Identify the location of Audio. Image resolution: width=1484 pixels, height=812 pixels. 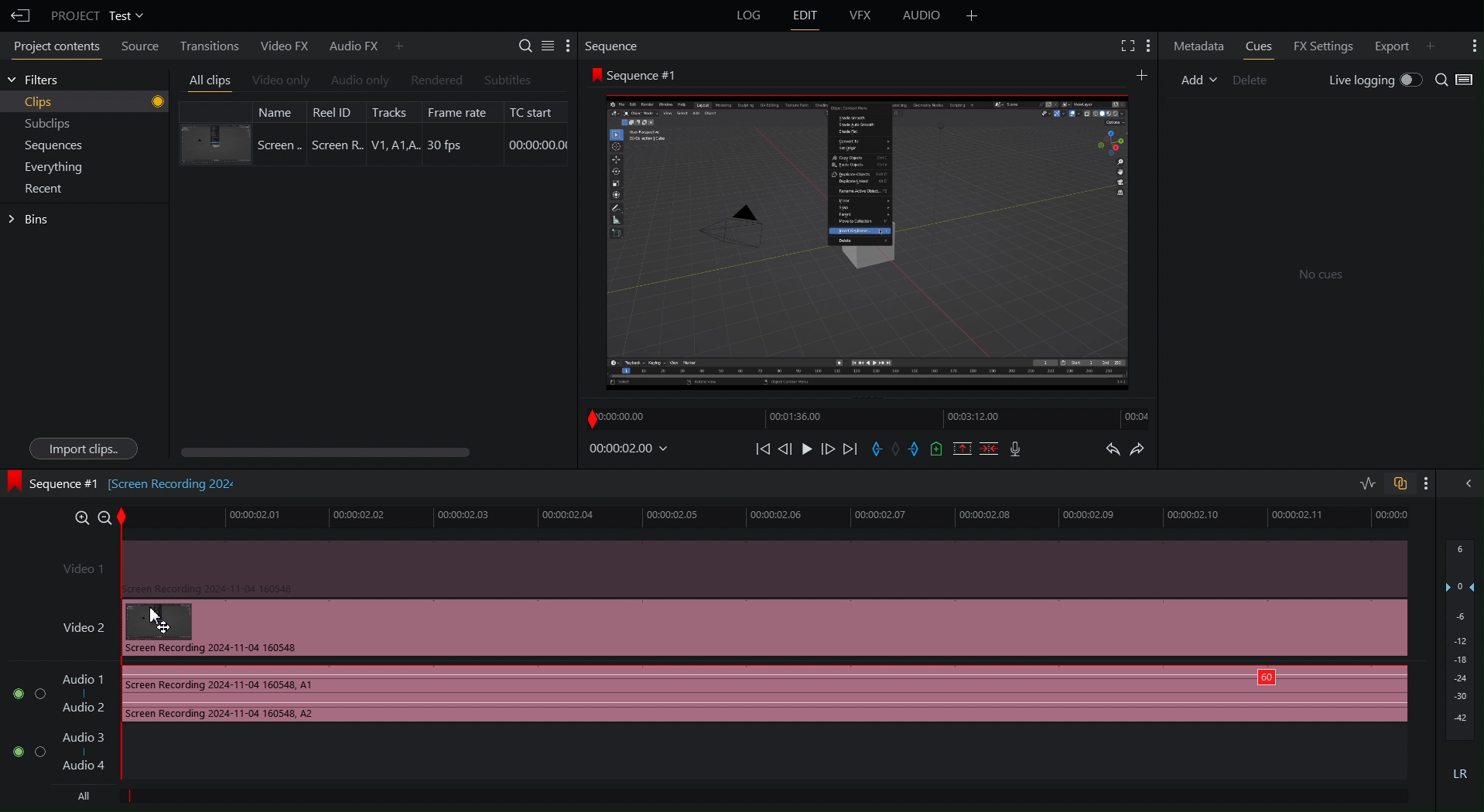
(919, 16).